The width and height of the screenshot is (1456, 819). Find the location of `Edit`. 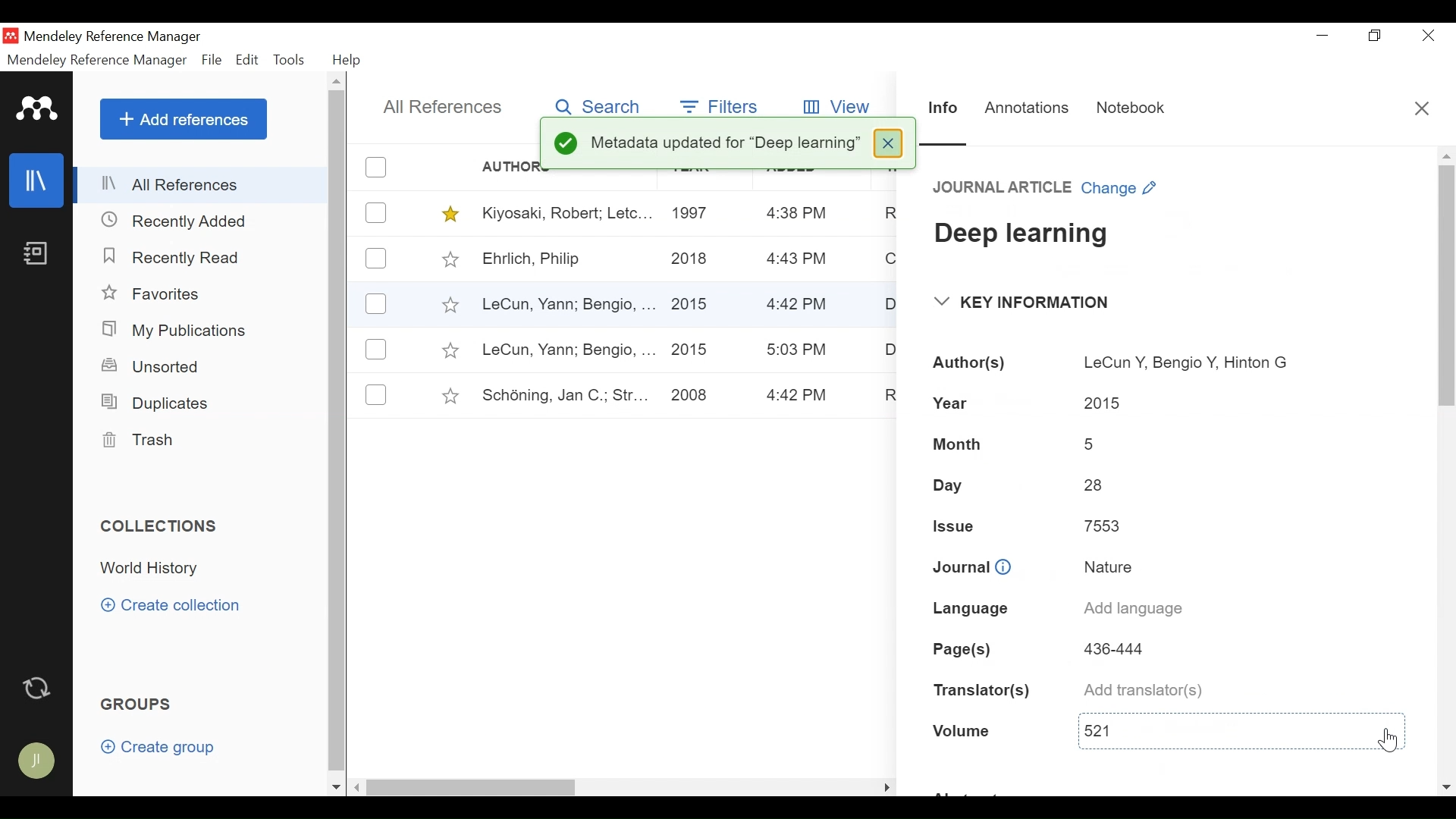

Edit is located at coordinates (248, 60).